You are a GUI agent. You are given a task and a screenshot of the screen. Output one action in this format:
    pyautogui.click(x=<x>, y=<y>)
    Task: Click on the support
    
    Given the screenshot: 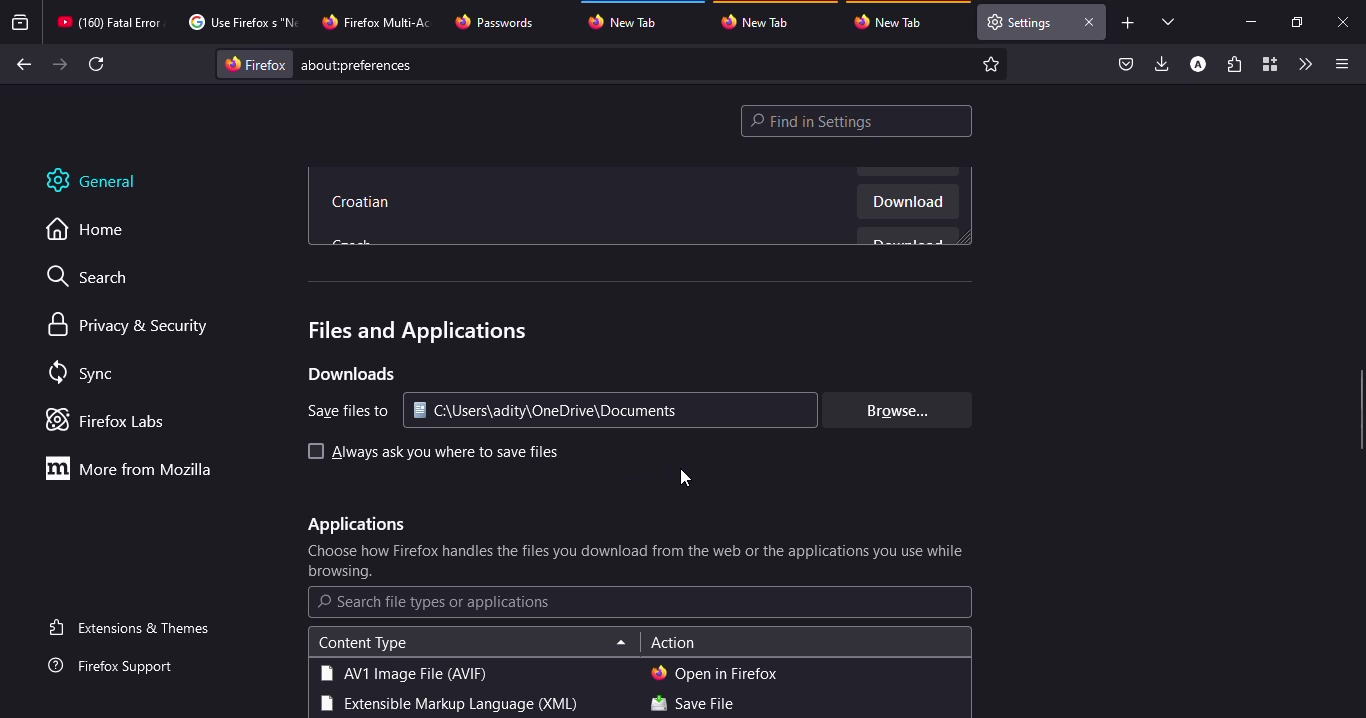 What is the action you would take?
    pyautogui.click(x=117, y=667)
    